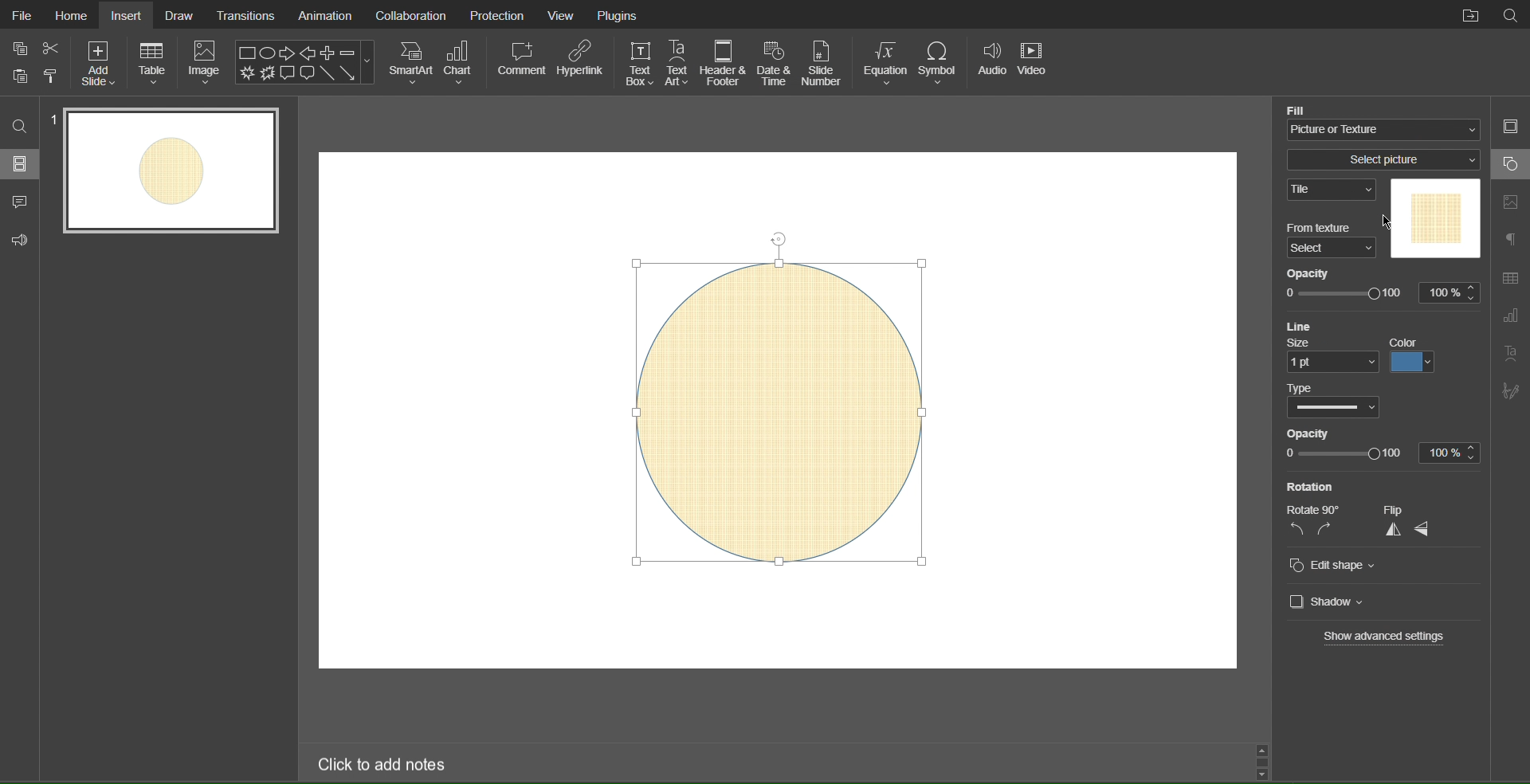  I want to click on Show advanced settings, so click(1376, 638).